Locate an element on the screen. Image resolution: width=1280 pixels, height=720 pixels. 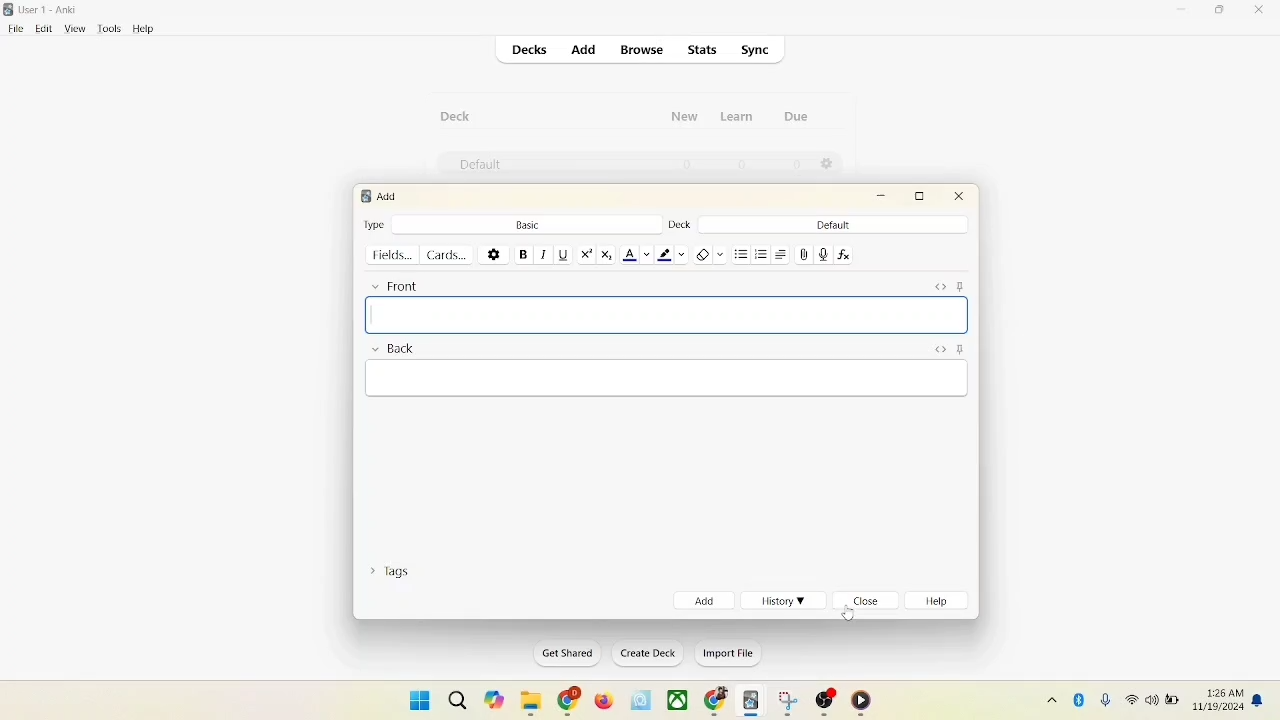
cursor is located at coordinates (848, 611).